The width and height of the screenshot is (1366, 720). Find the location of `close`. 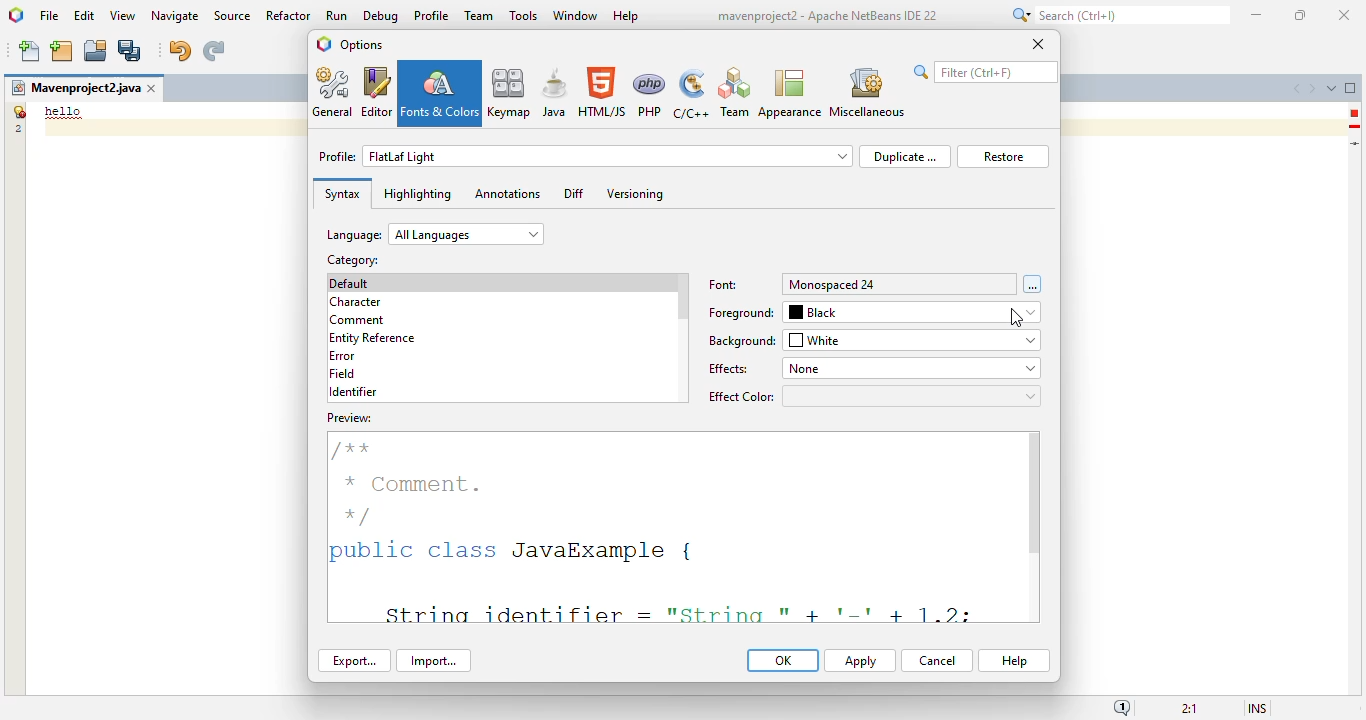

close is located at coordinates (1038, 43).